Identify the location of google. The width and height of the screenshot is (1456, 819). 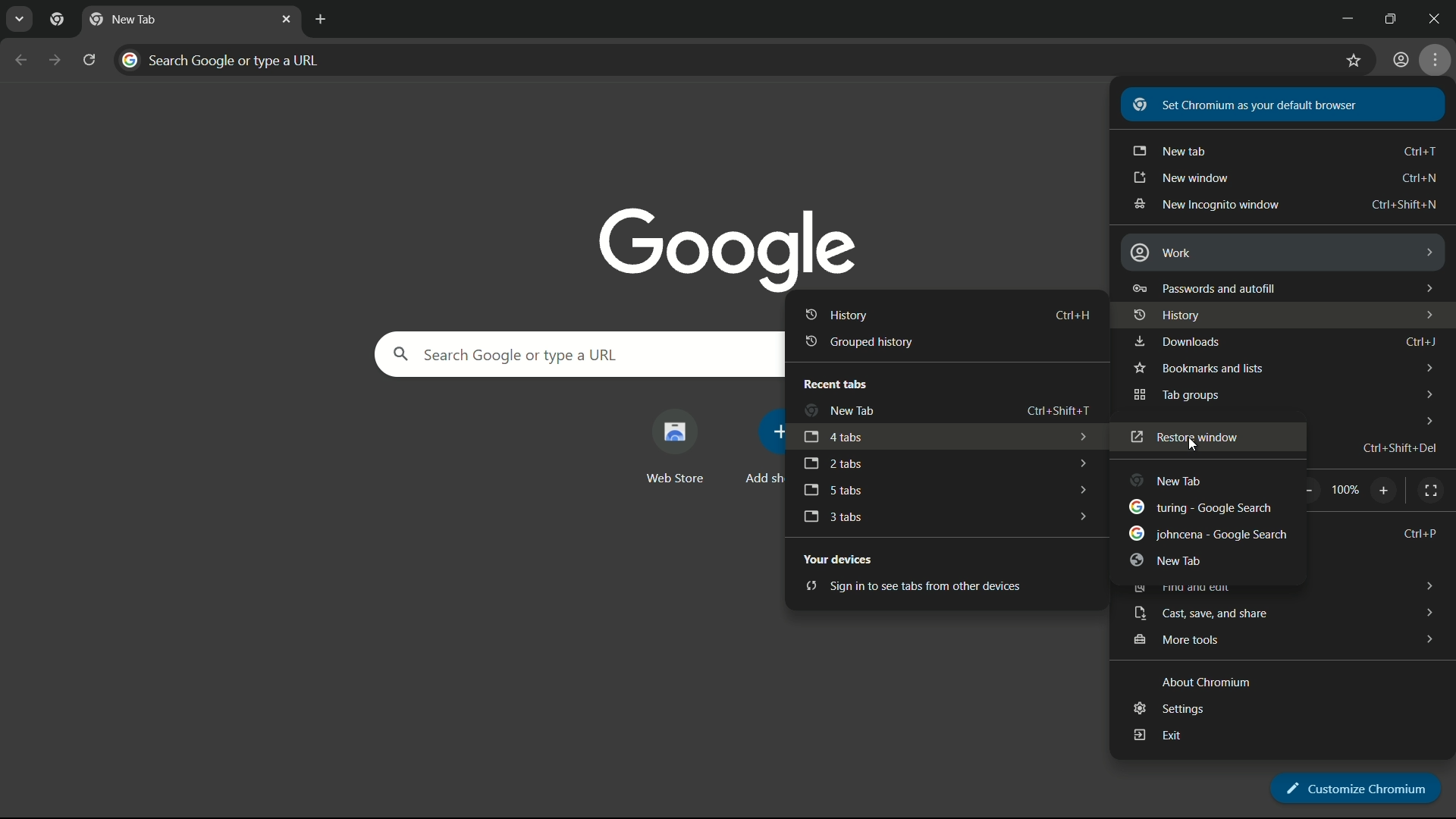
(727, 242).